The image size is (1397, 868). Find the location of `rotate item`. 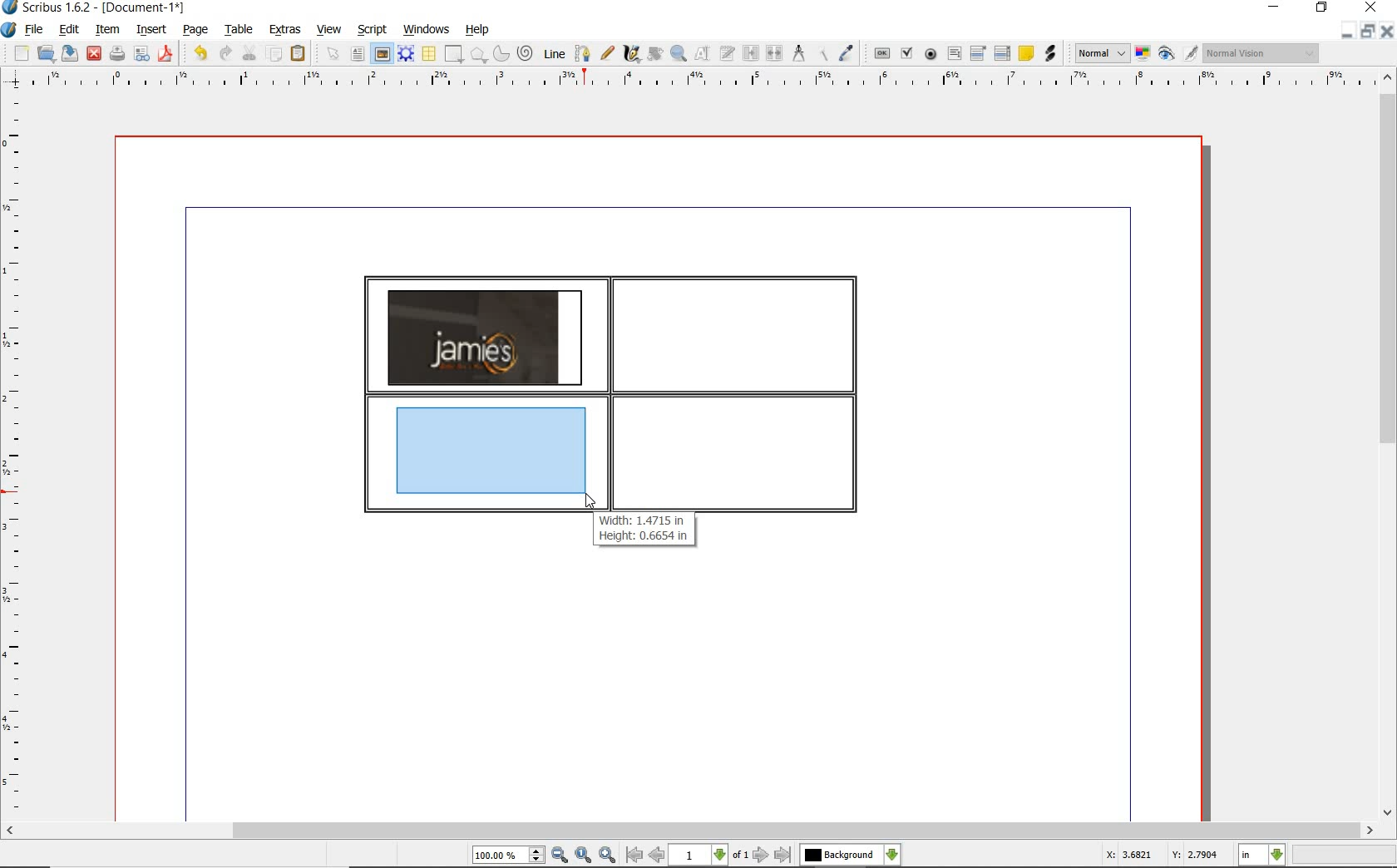

rotate item is located at coordinates (654, 55).